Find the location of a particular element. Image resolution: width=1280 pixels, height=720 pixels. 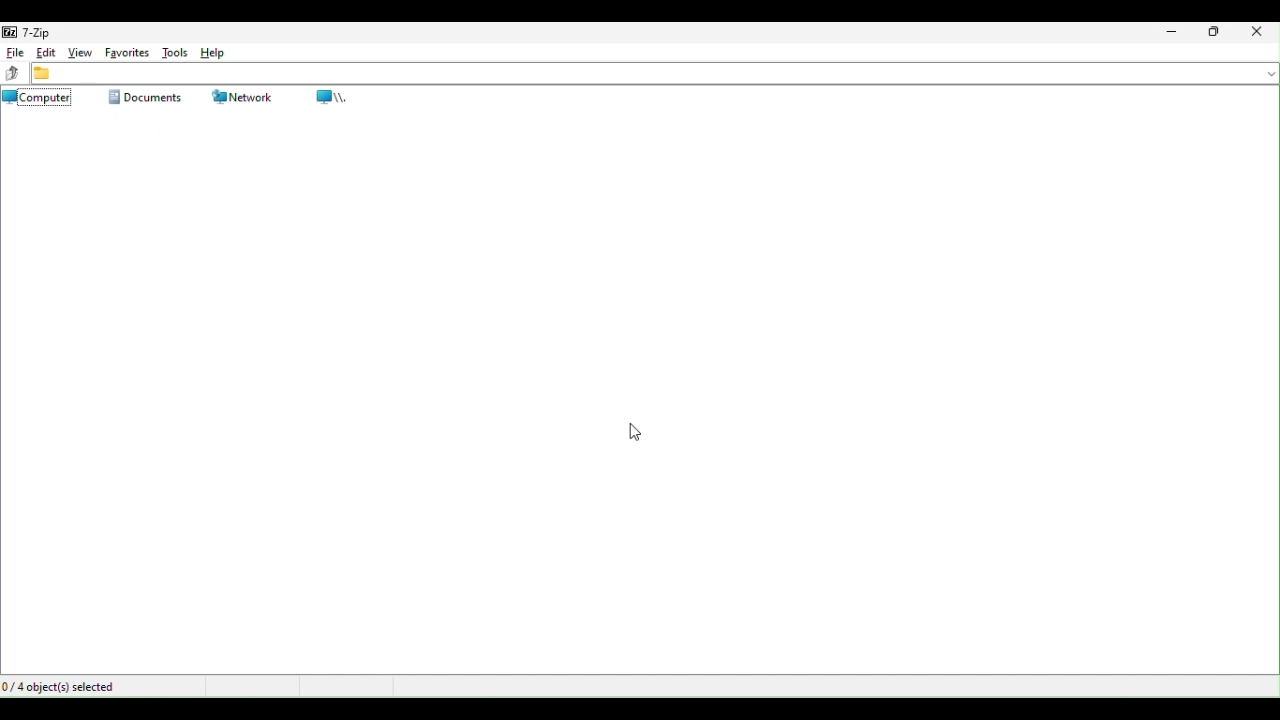

computer is located at coordinates (38, 99).